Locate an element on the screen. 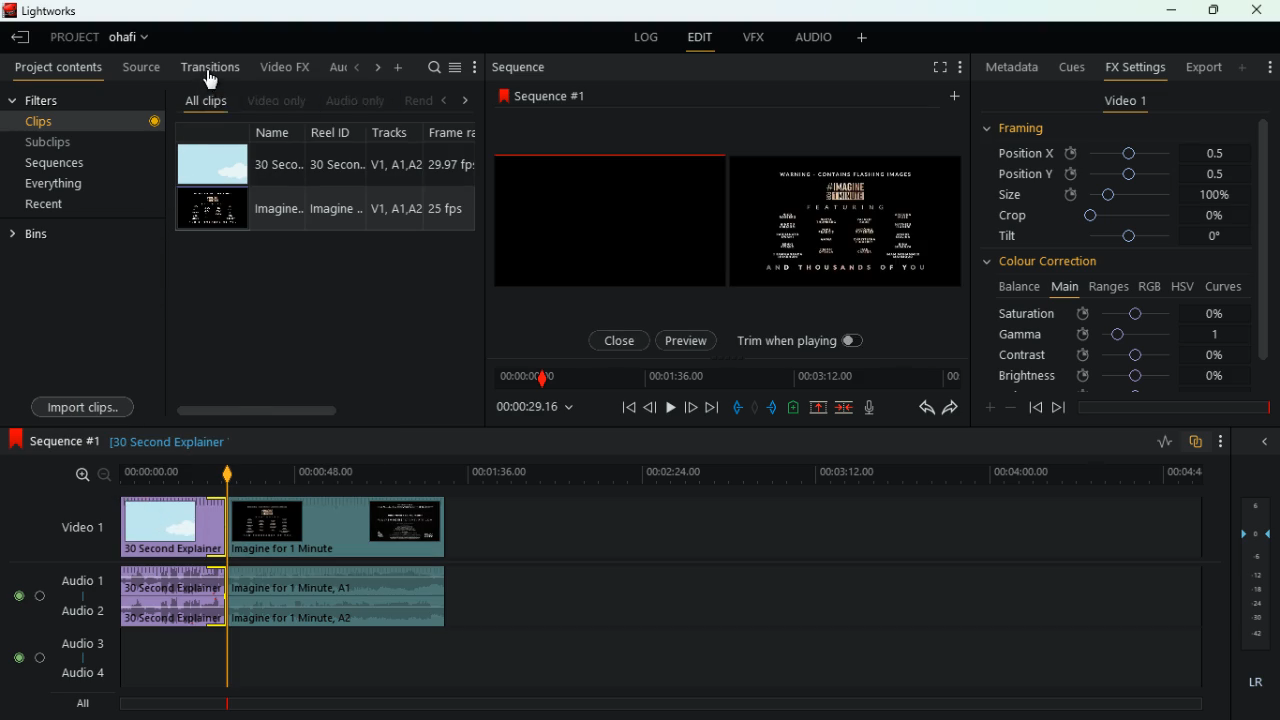 This screenshot has width=1280, height=720. forward is located at coordinates (950, 409).